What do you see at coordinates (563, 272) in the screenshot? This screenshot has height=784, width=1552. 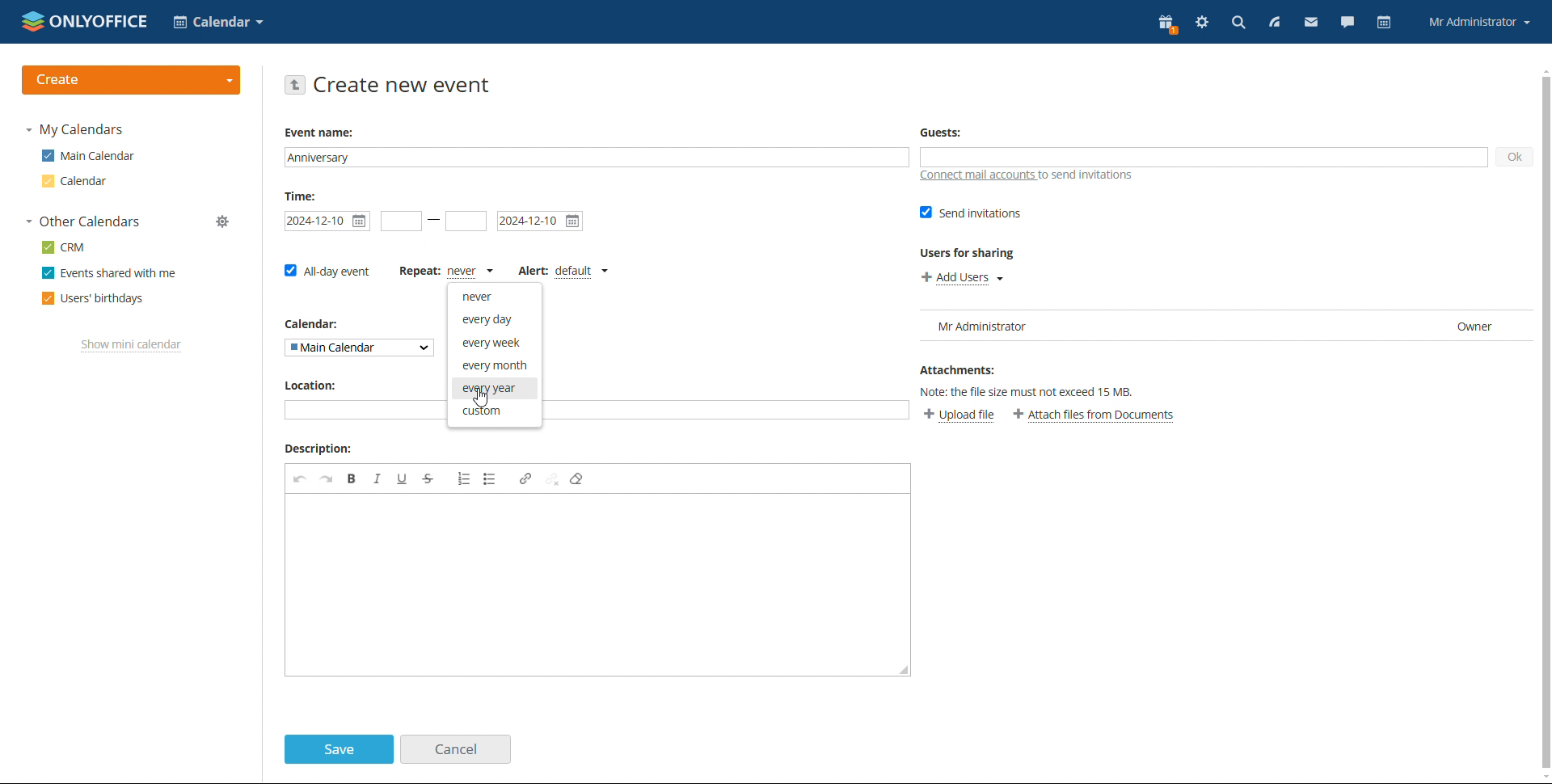 I see `set alert` at bounding box center [563, 272].